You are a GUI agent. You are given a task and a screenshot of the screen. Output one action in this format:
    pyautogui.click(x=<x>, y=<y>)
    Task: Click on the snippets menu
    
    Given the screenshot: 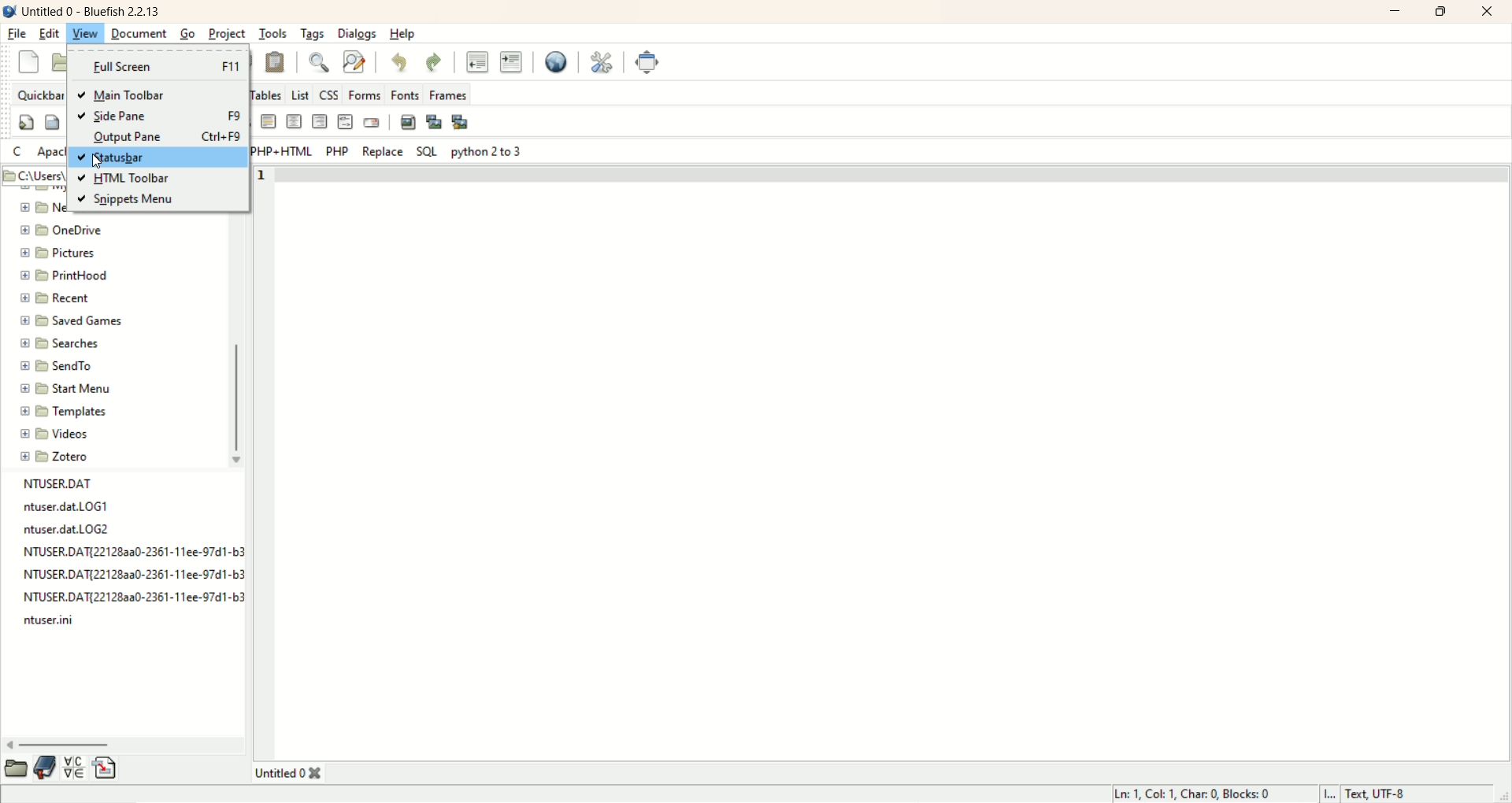 What is the action you would take?
    pyautogui.click(x=130, y=202)
    